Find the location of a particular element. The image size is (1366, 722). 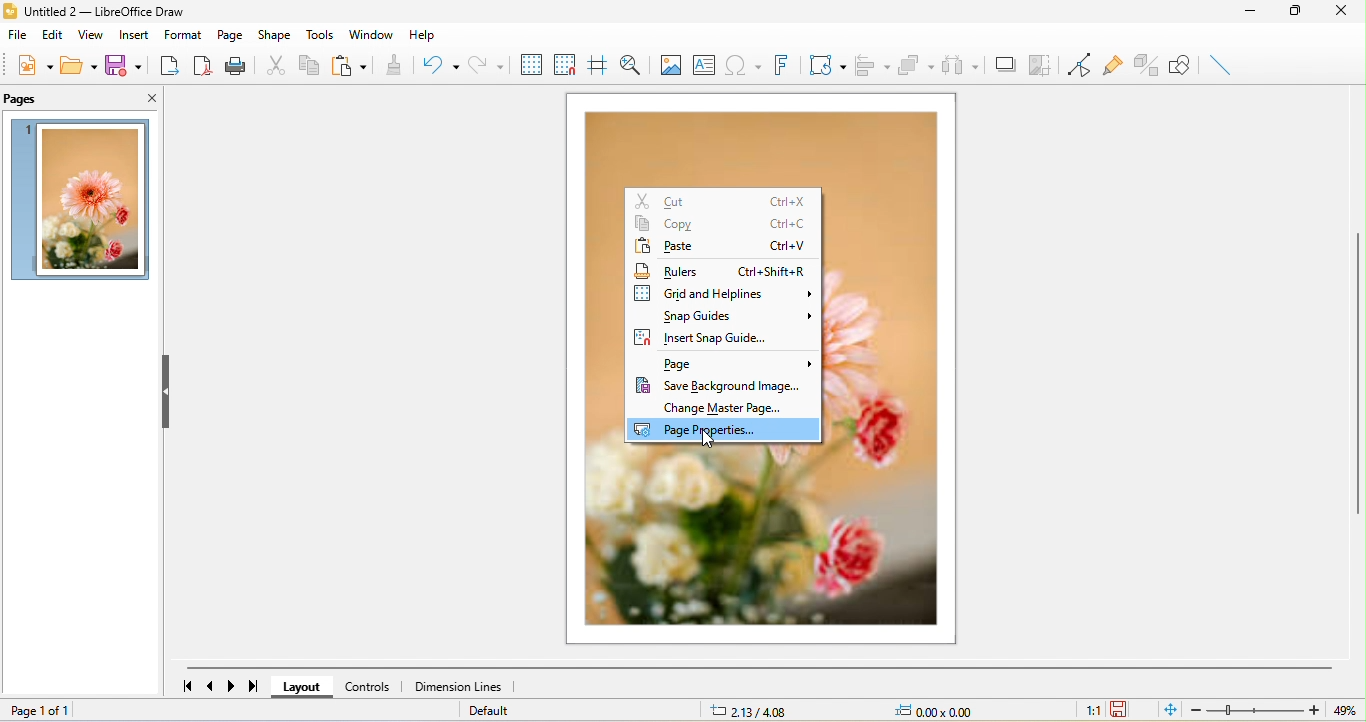

view is located at coordinates (94, 34).